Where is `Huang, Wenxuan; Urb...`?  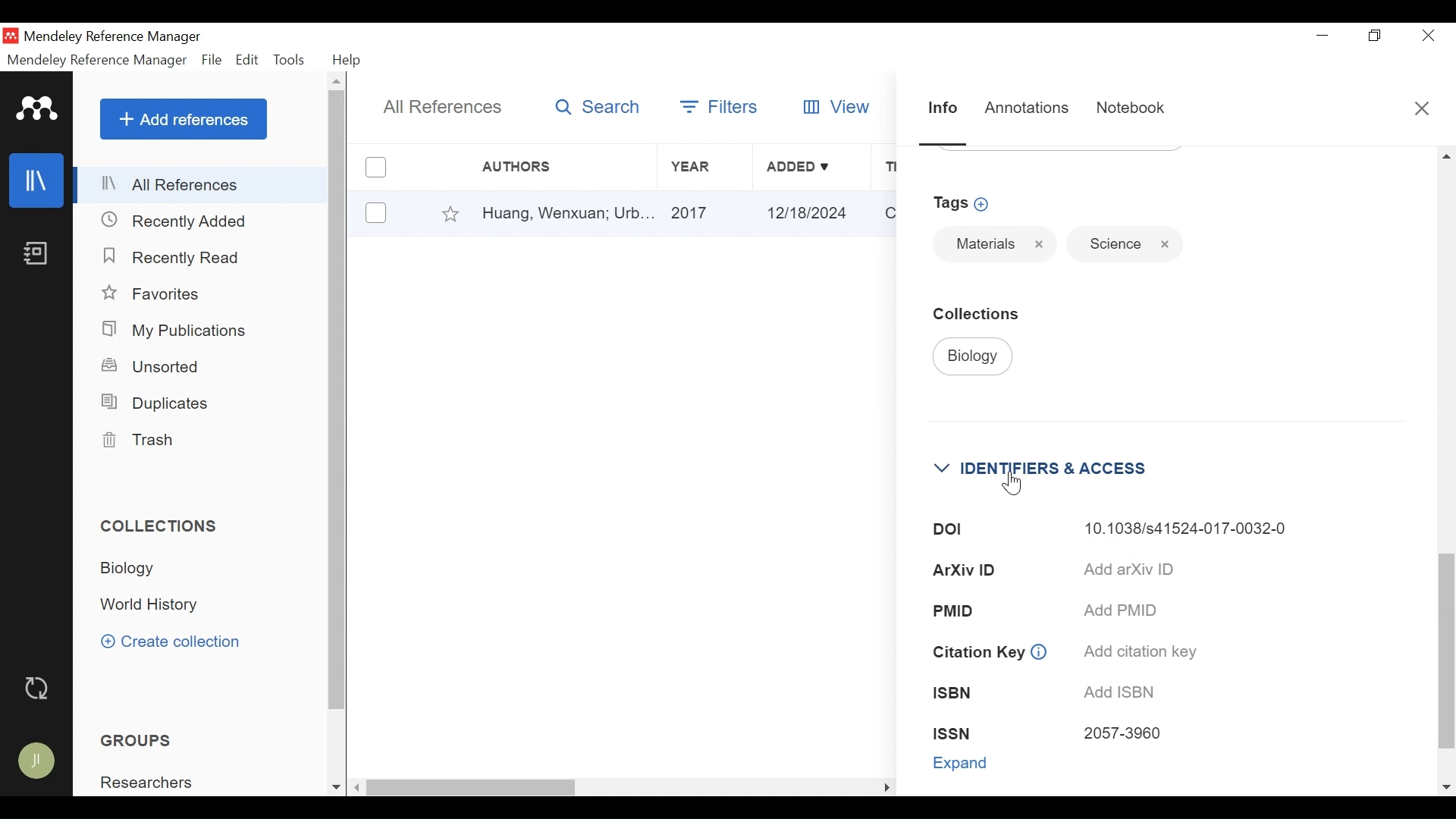
Huang, Wenxuan; Urb... is located at coordinates (567, 214).